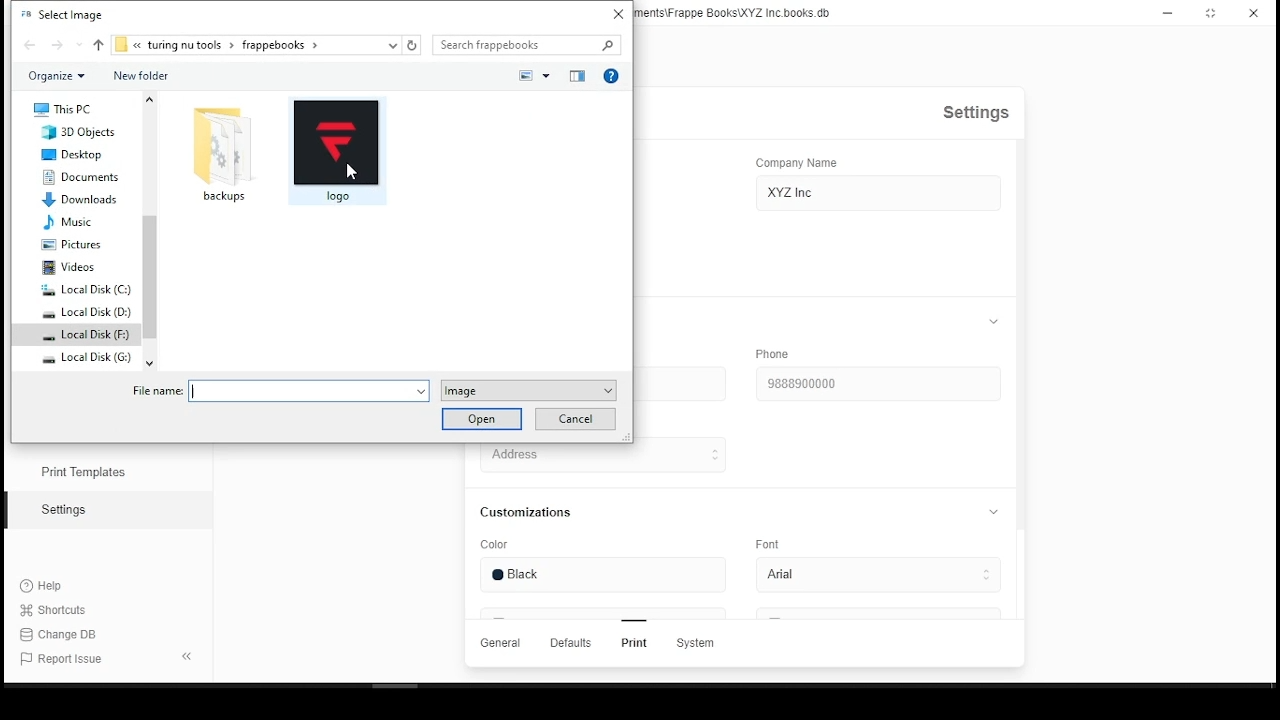  I want to click on file name, so click(276, 391).